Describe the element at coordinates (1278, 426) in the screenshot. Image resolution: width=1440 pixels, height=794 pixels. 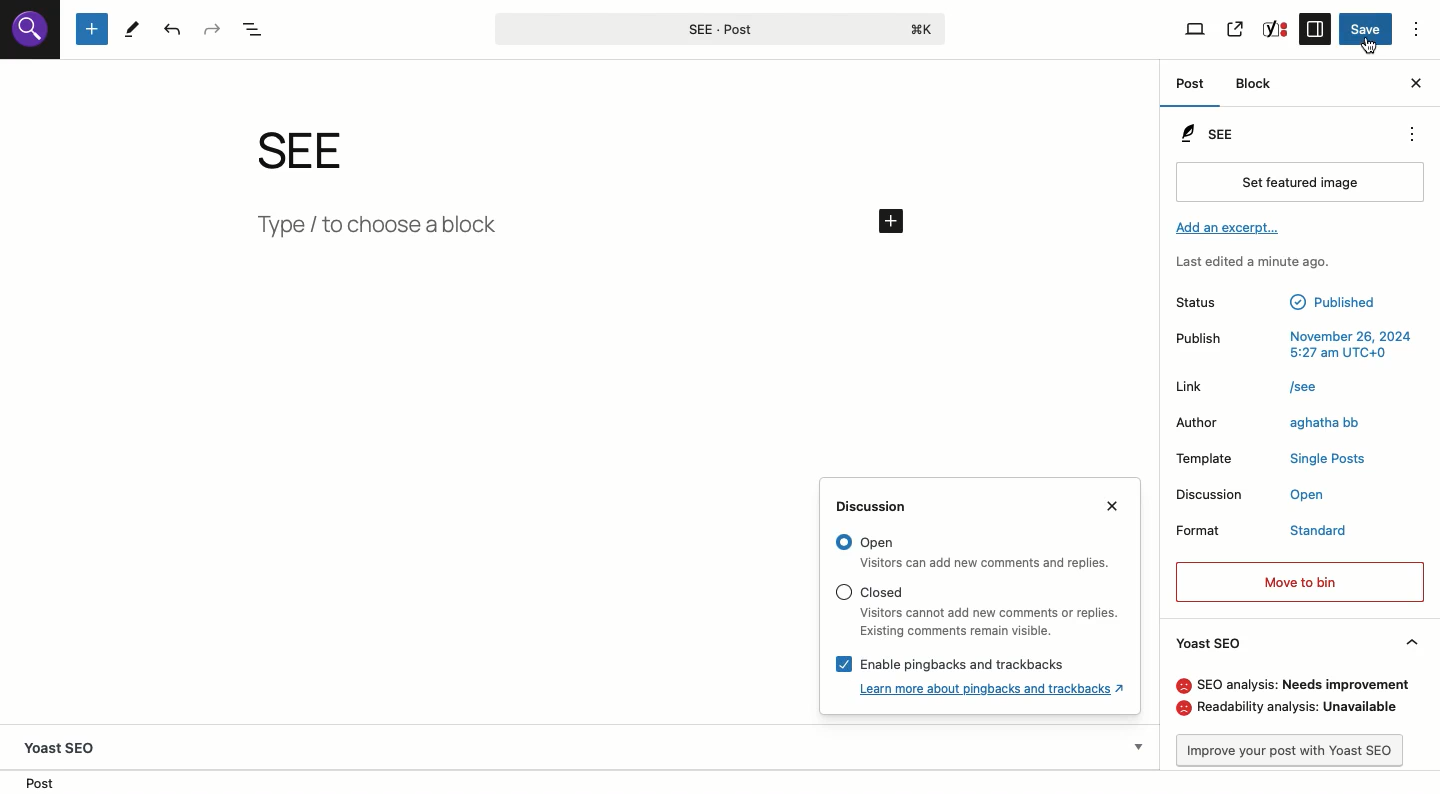
I see `Author aghatha bb` at that location.